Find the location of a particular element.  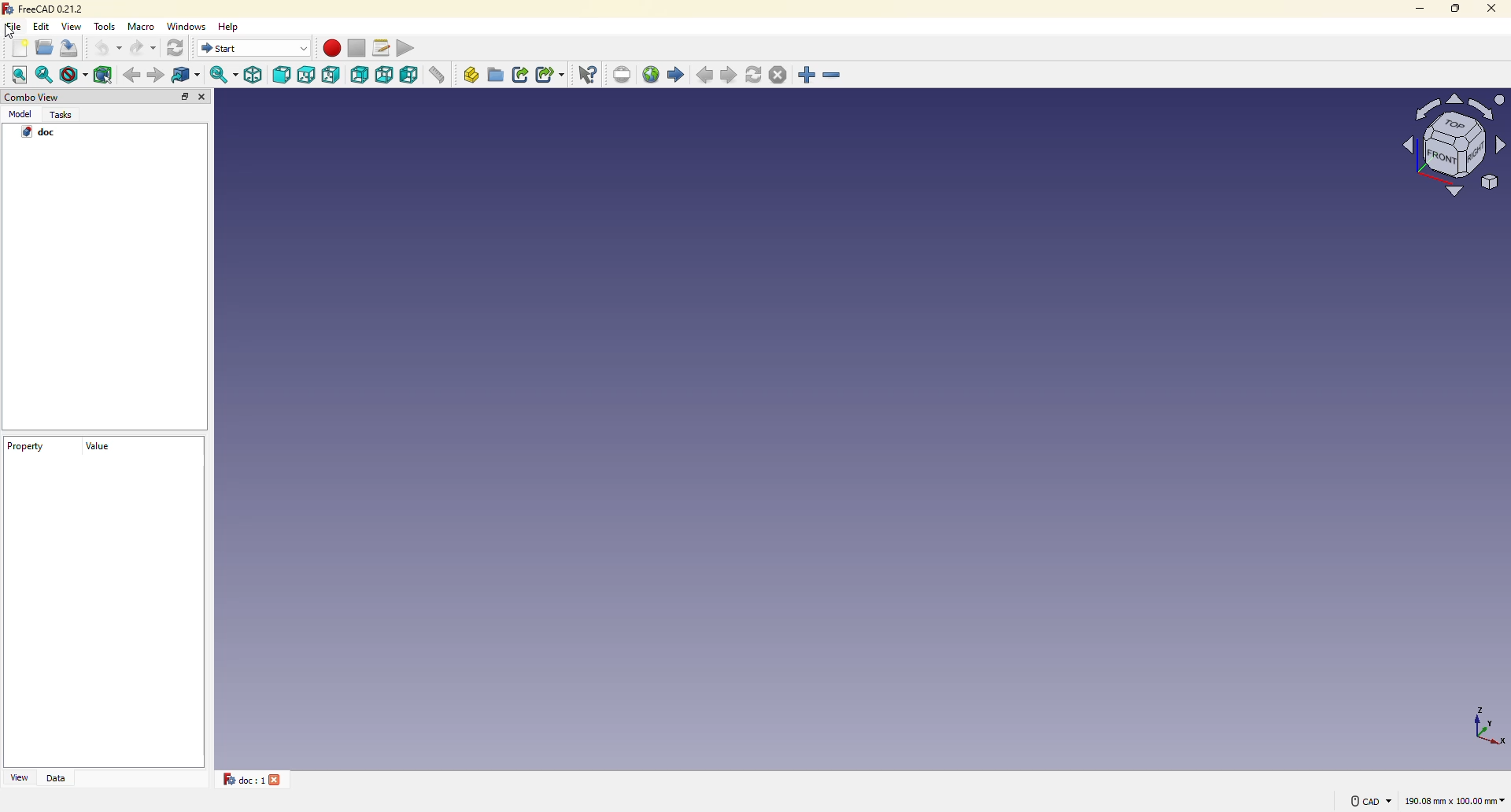

zoom in is located at coordinates (807, 76).